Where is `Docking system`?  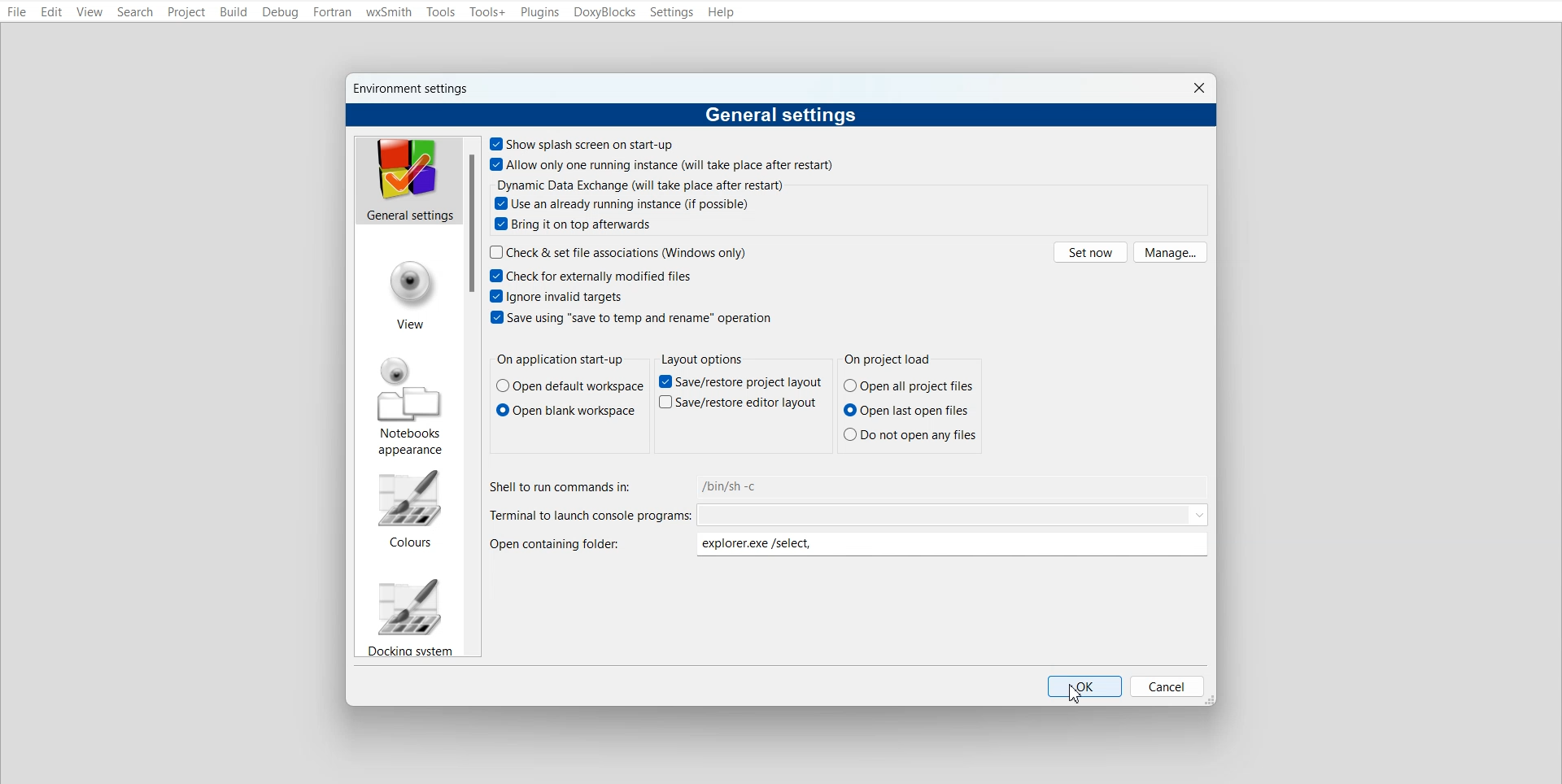
Docking system is located at coordinates (408, 616).